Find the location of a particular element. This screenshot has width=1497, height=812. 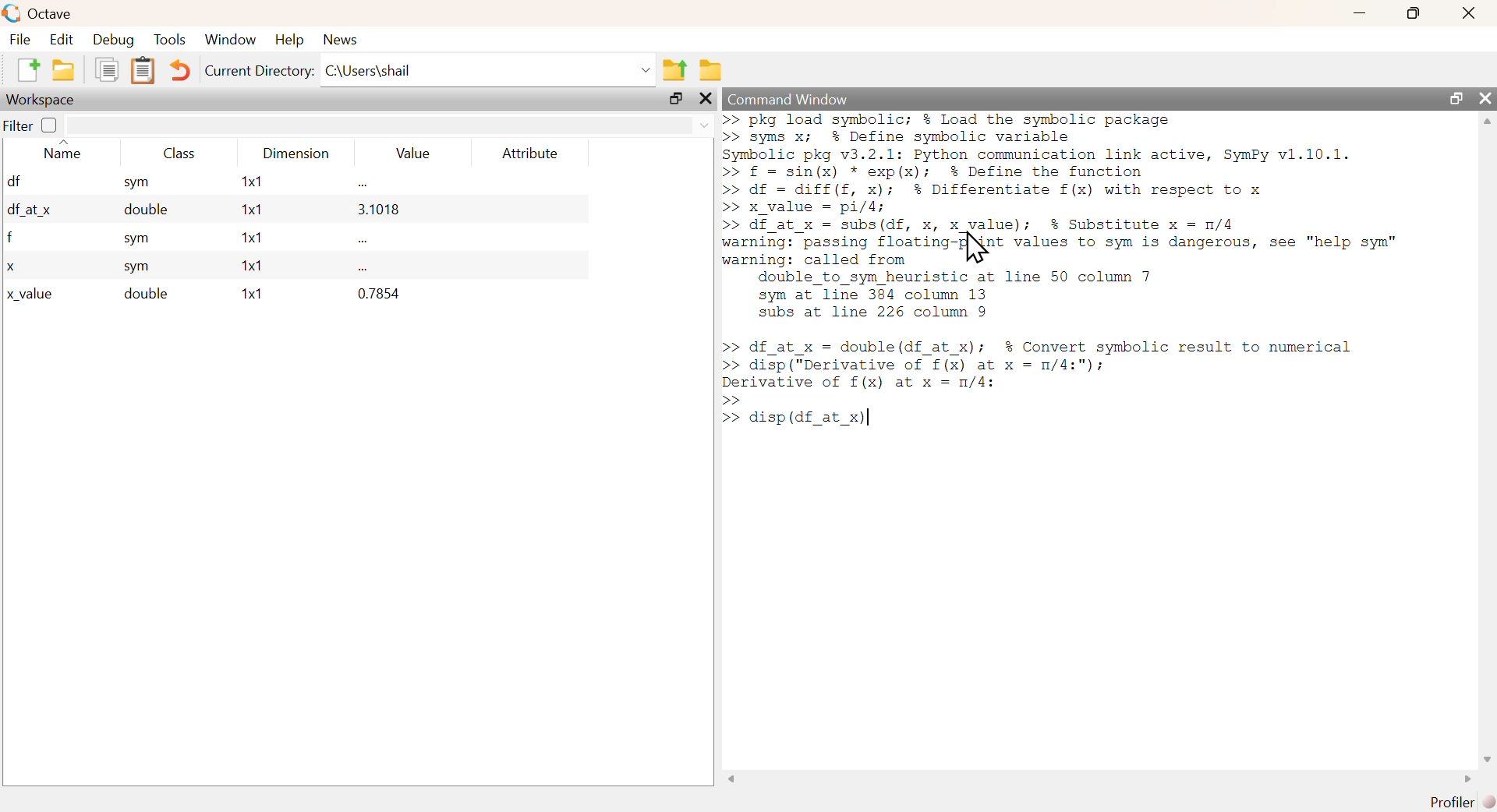

News is located at coordinates (341, 40).